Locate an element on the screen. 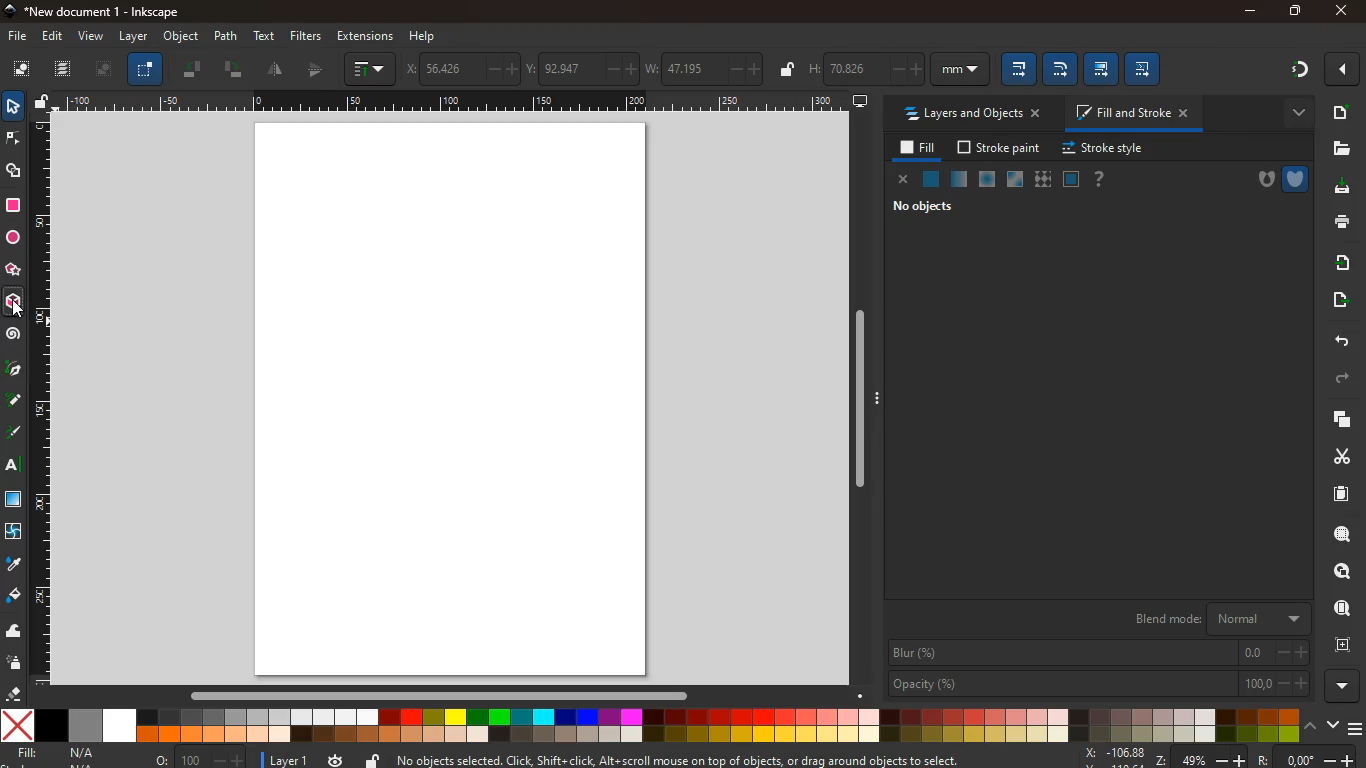 Image resolution: width=1366 pixels, height=768 pixels. o is located at coordinates (196, 758).